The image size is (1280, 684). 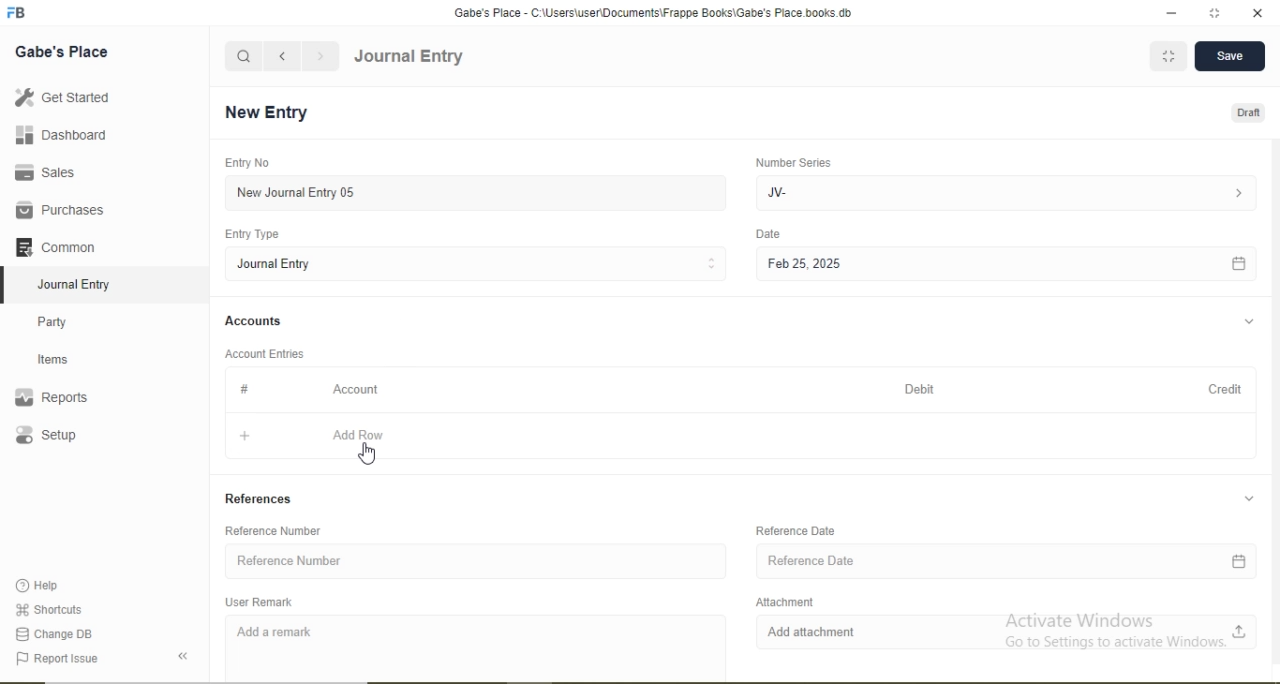 I want to click on Save, so click(x=1228, y=57).